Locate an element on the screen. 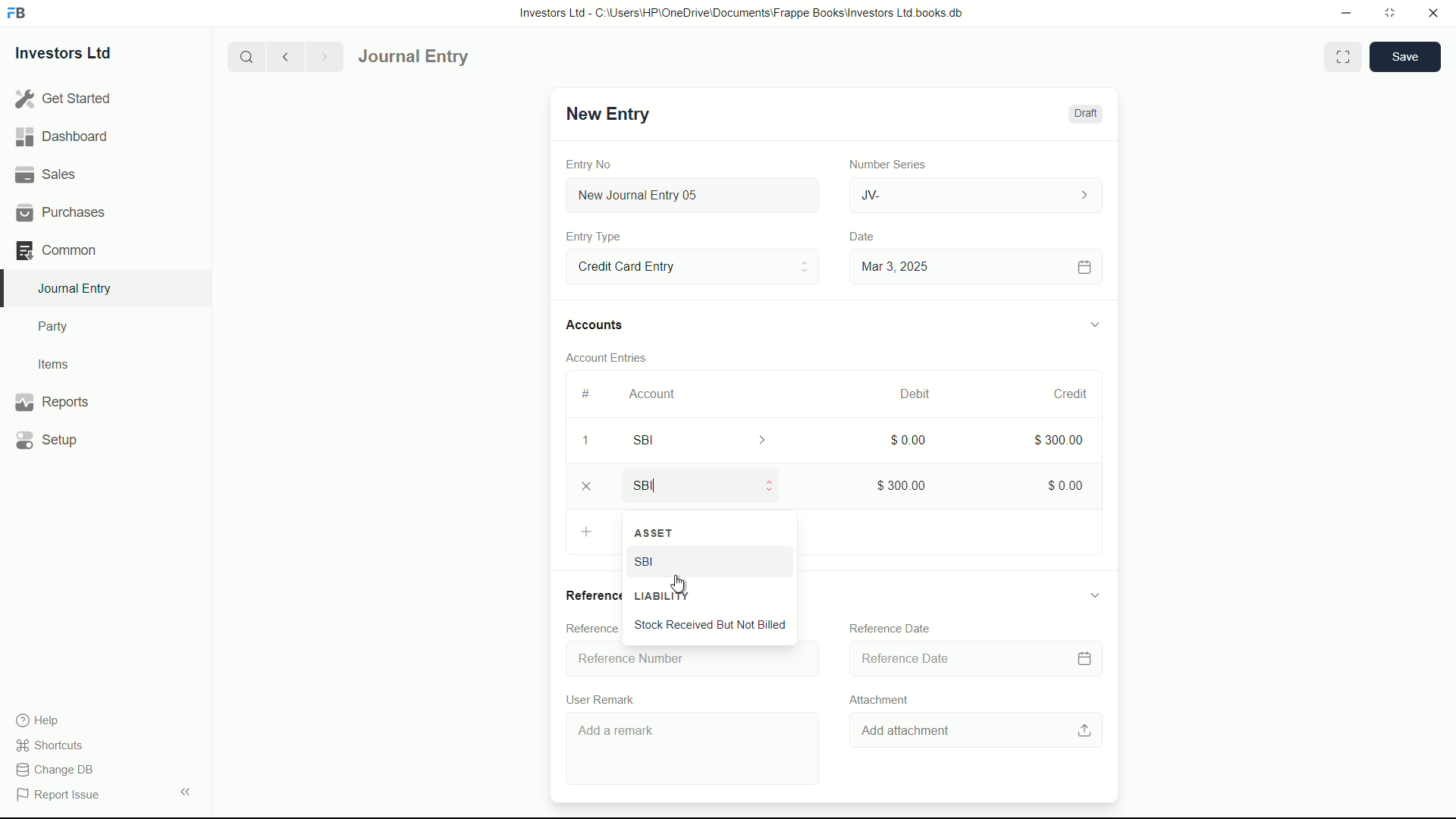 The image size is (1456, 819). # is located at coordinates (587, 394).